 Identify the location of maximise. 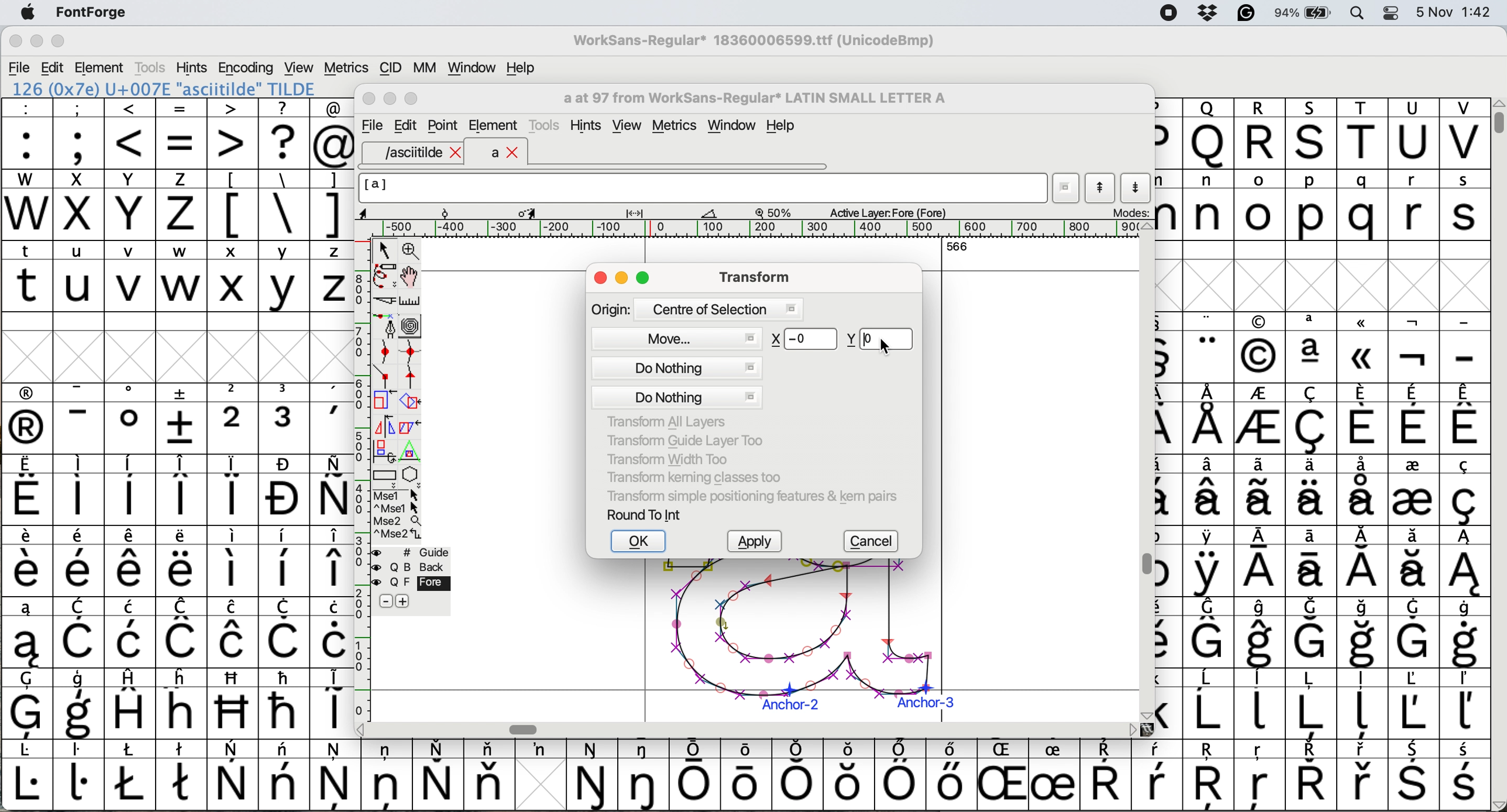
(645, 280).